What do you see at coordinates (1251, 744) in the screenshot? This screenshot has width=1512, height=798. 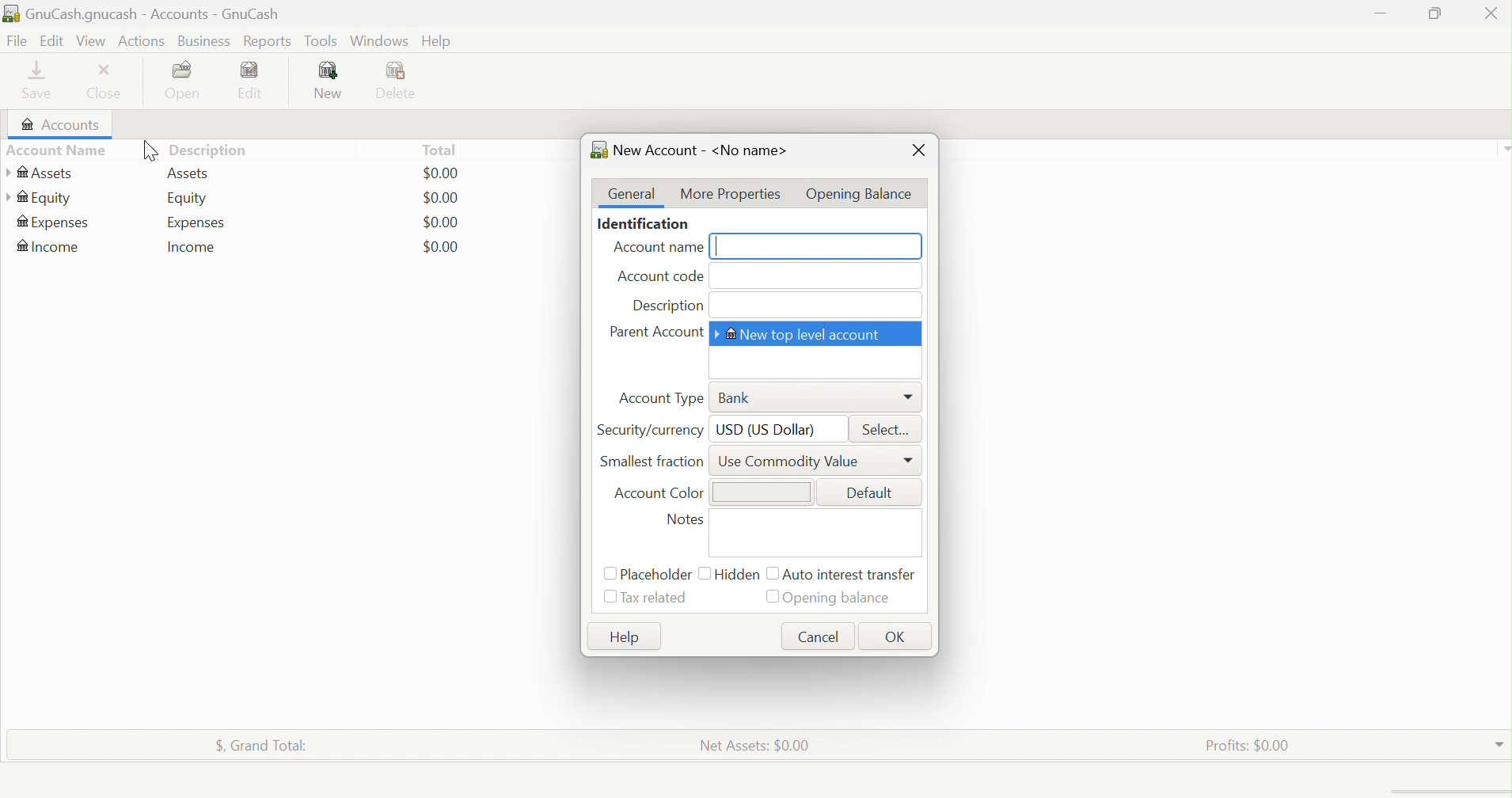 I see `Profits: $0.00` at bounding box center [1251, 744].